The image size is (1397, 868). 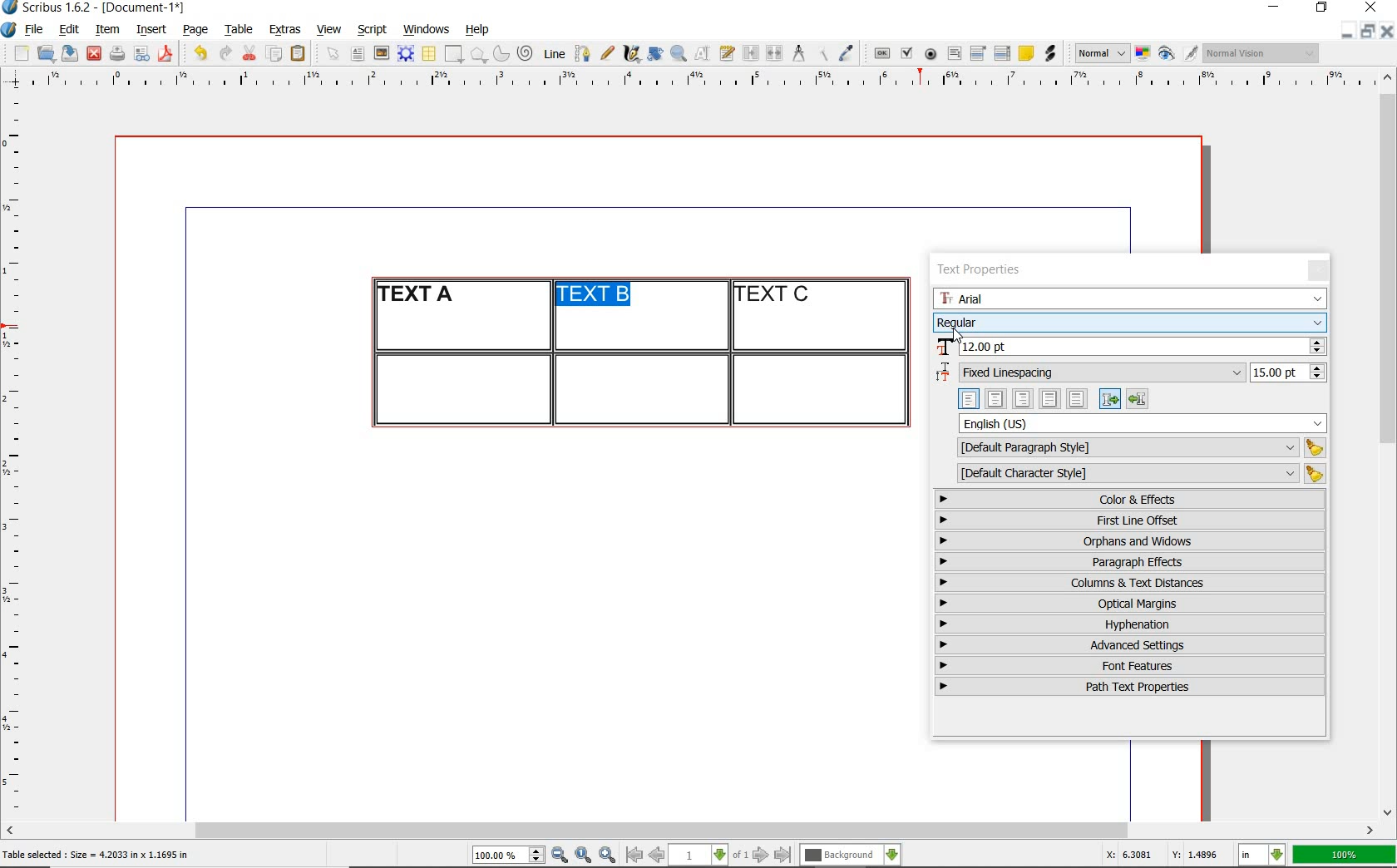 I want to click on undo, so click(x=200, y=53).